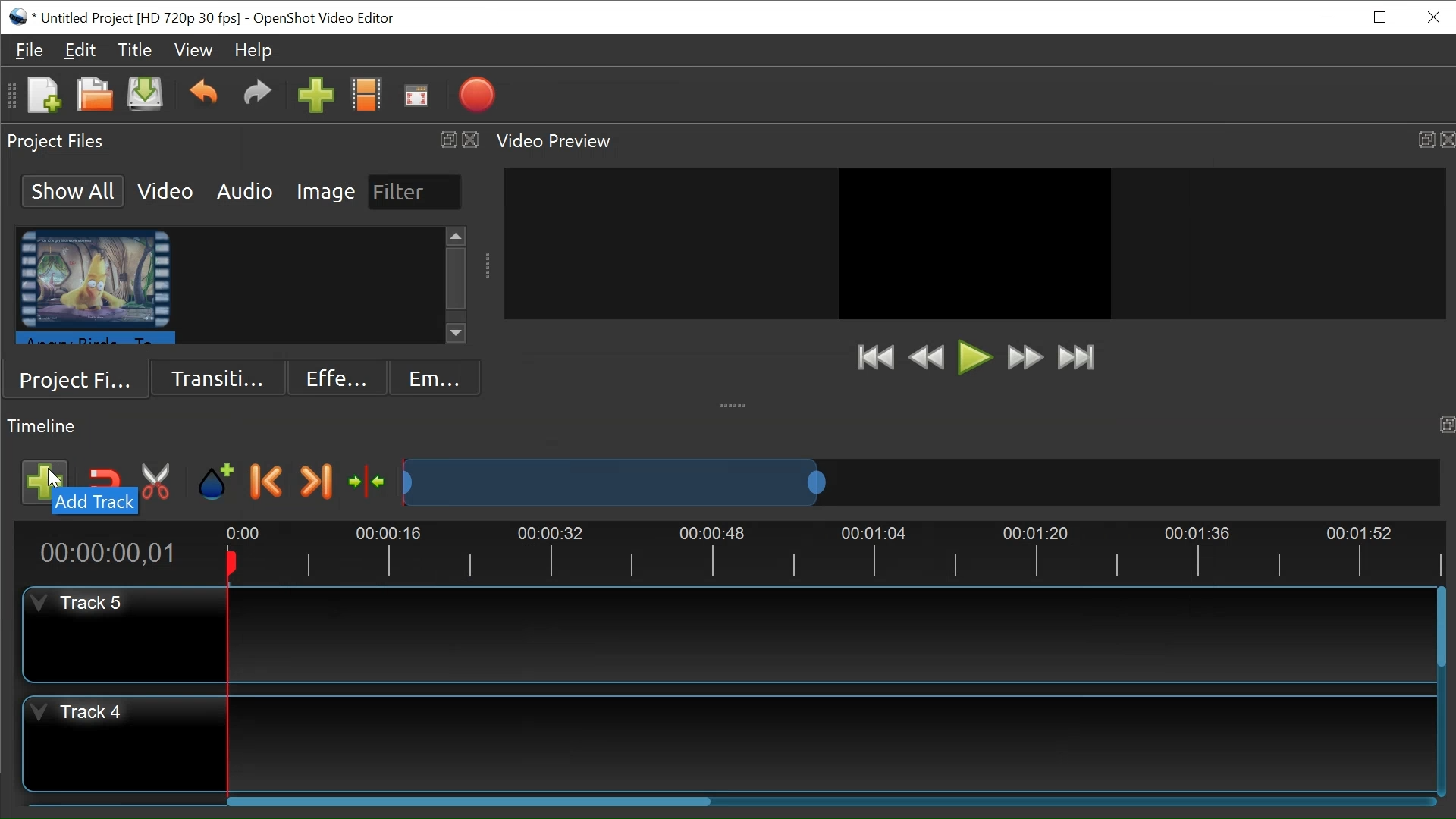 The height and width of the screenshot is (819, 1456). Describe the element at coordinates (157, 481) in the screenshot. I see `Razor` at that location.